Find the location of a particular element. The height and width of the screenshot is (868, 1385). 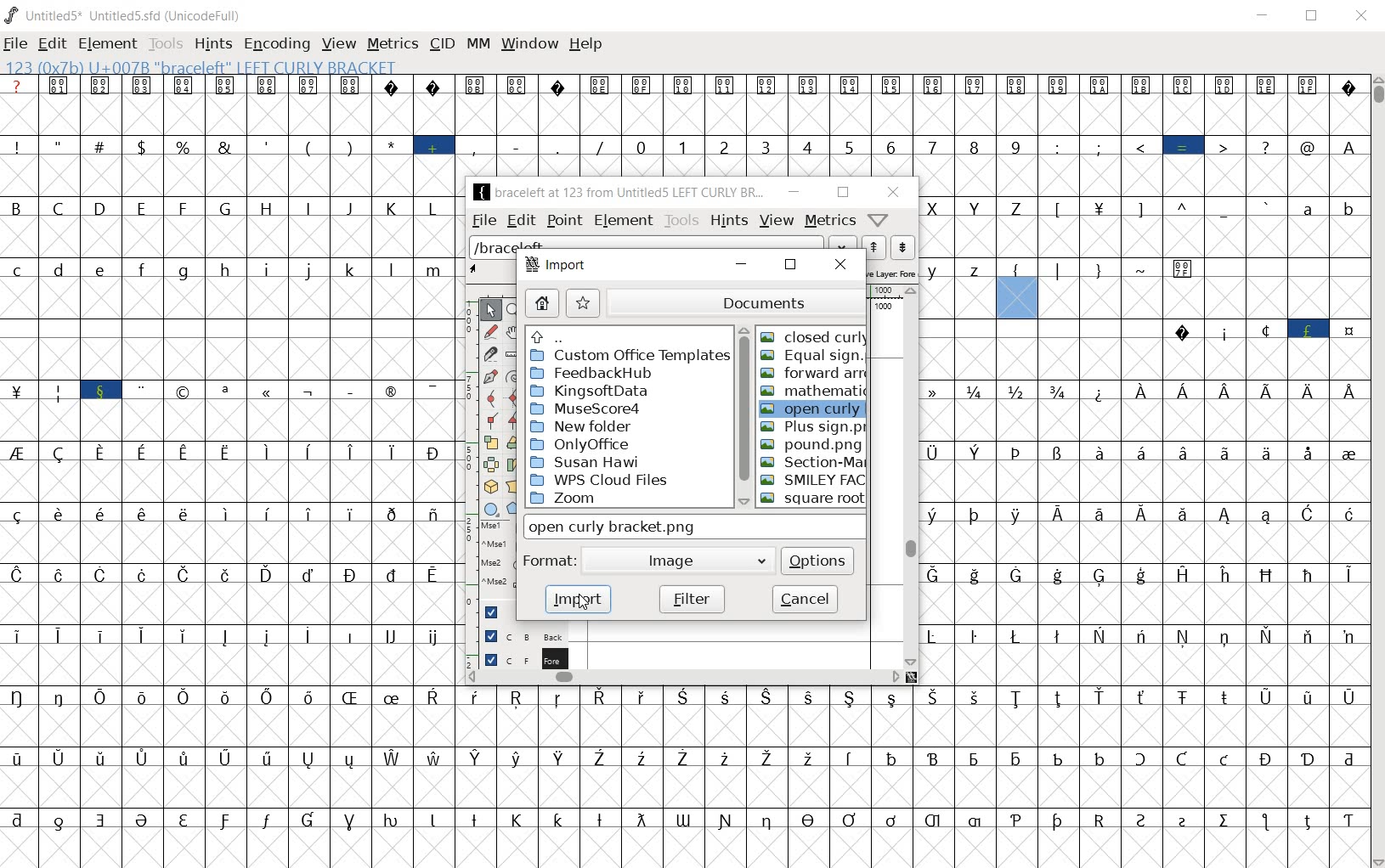

scroll by hand is located at coordinates (514, 333).